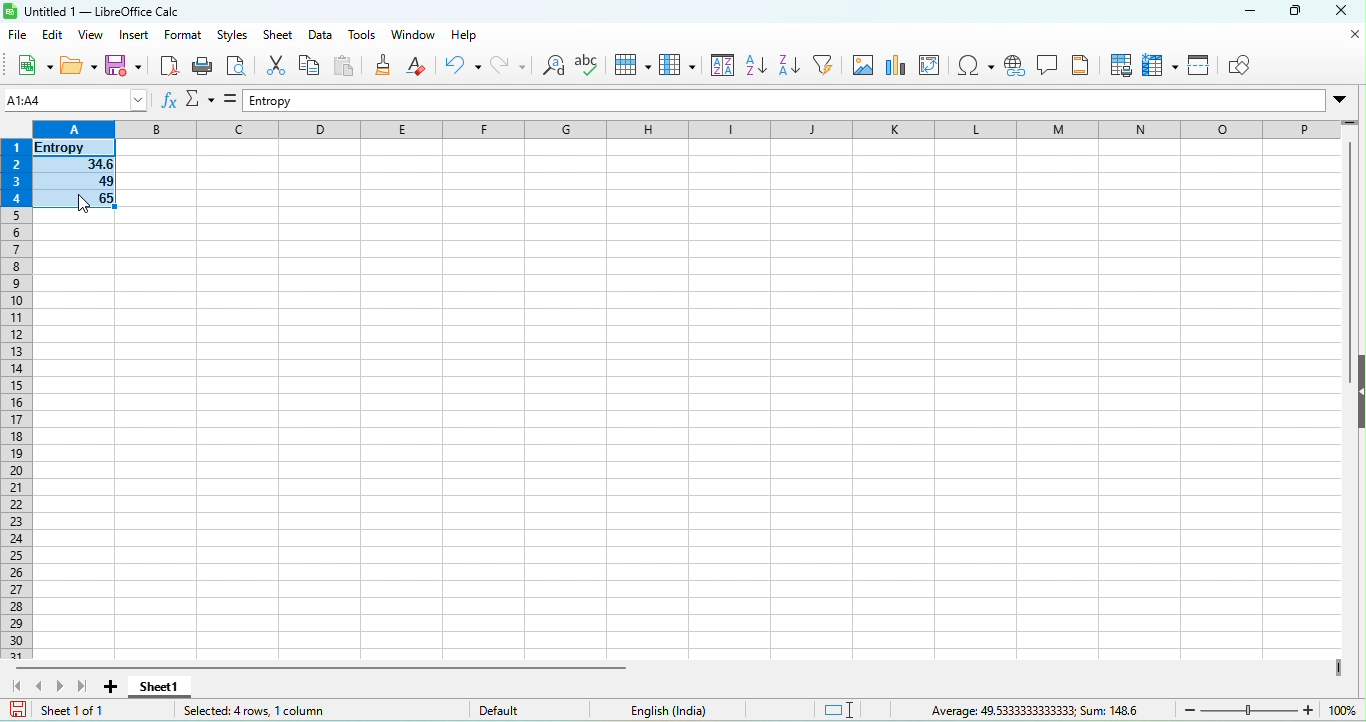 The height and width of the screenshot is (722, 1366). What do you see at coordinates (551, 67) in the screenshot?
I see `find and replace` at bounding box center [551, 67].